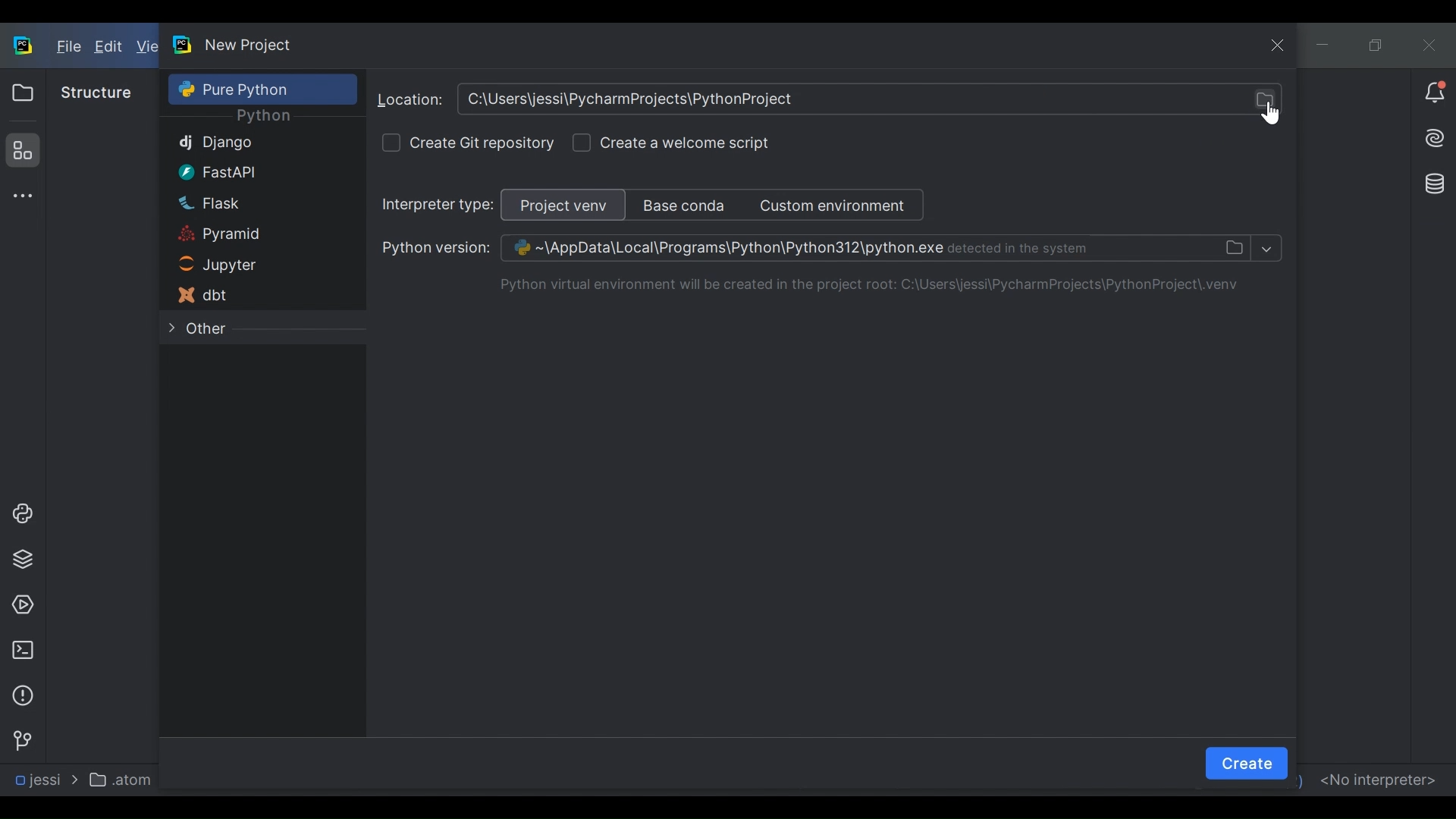  Describe the element at coordinates (392, 142) in the screenshot. I see `check box` at that location.